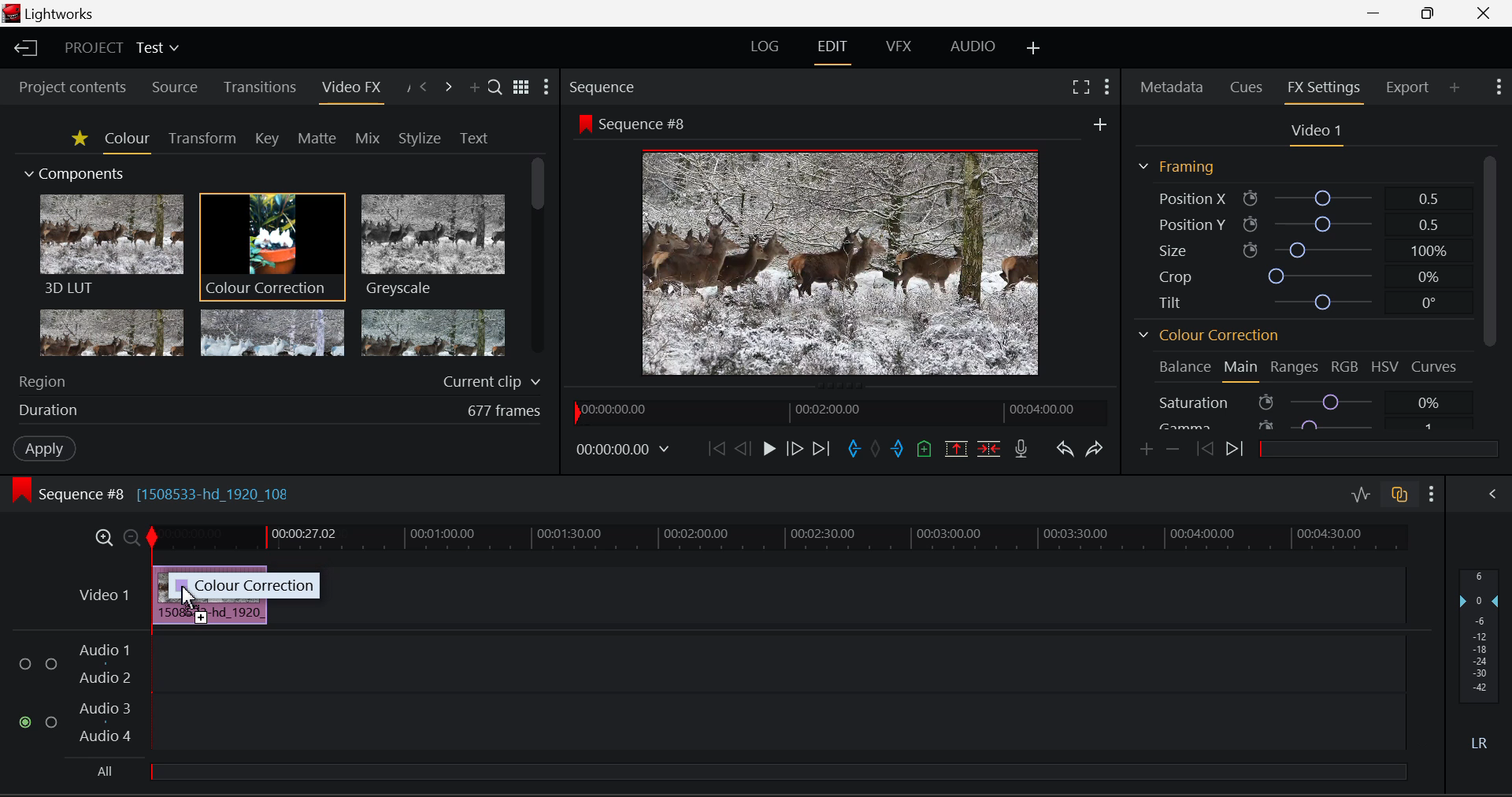 The width and height of the screenshot is (1512, 797). What do you see at coordinates (1377, 13) in the screenshot?
I see `Restore Down` at bounding box center [1377, 13].